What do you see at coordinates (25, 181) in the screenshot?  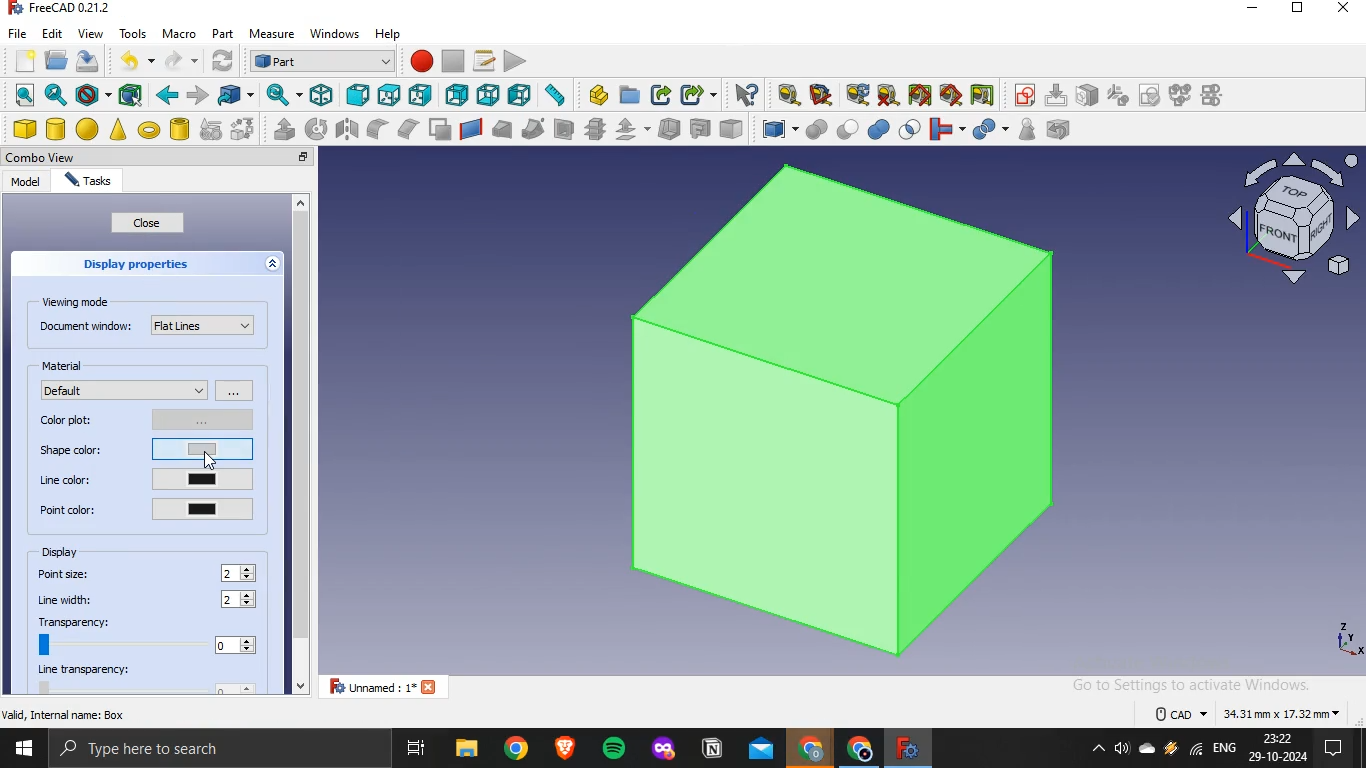 I see `model` at bounding box center [25, 181].